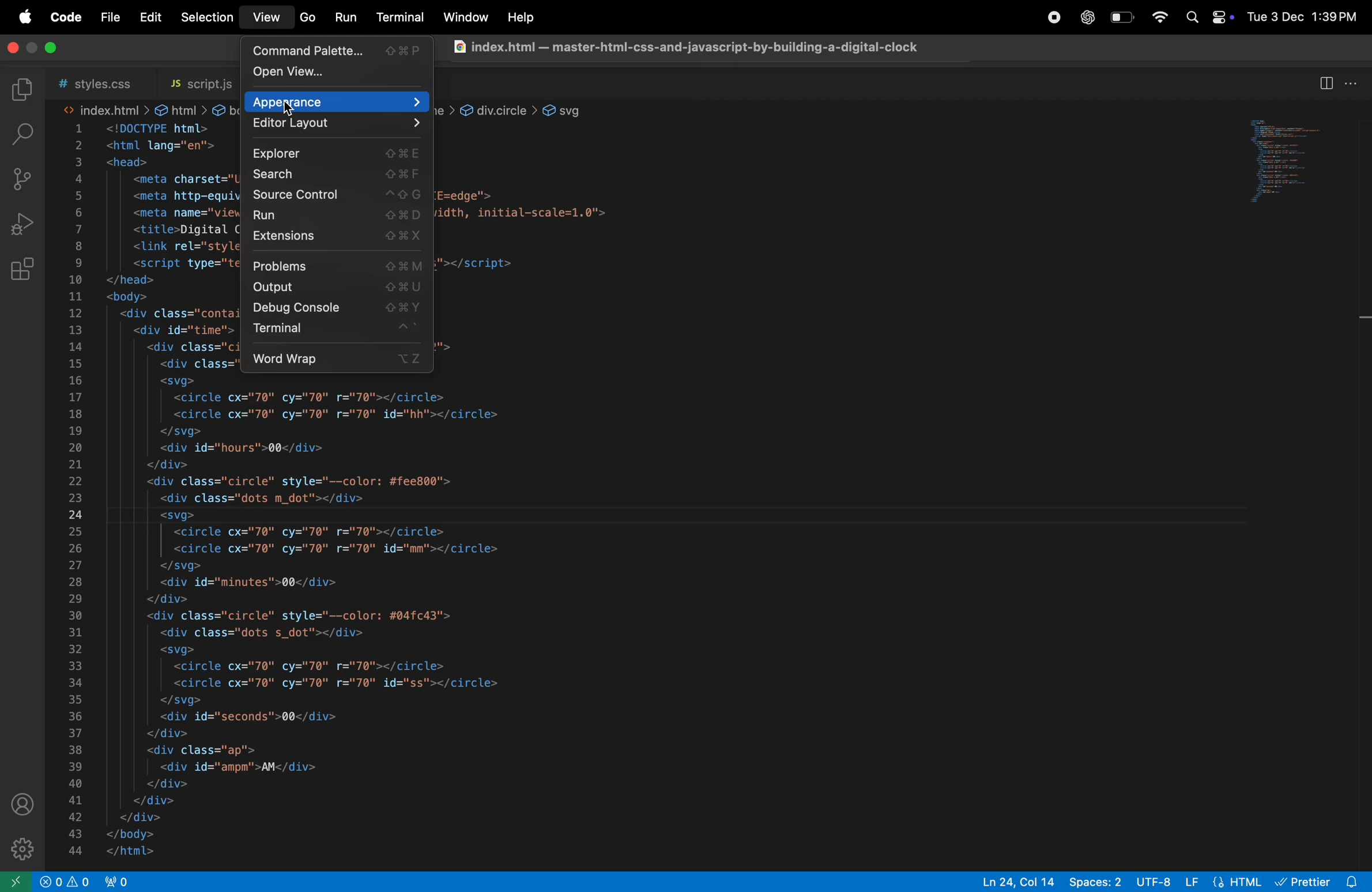 The image size is (1372, 892). I want to click on index.html, so click(104, 109).